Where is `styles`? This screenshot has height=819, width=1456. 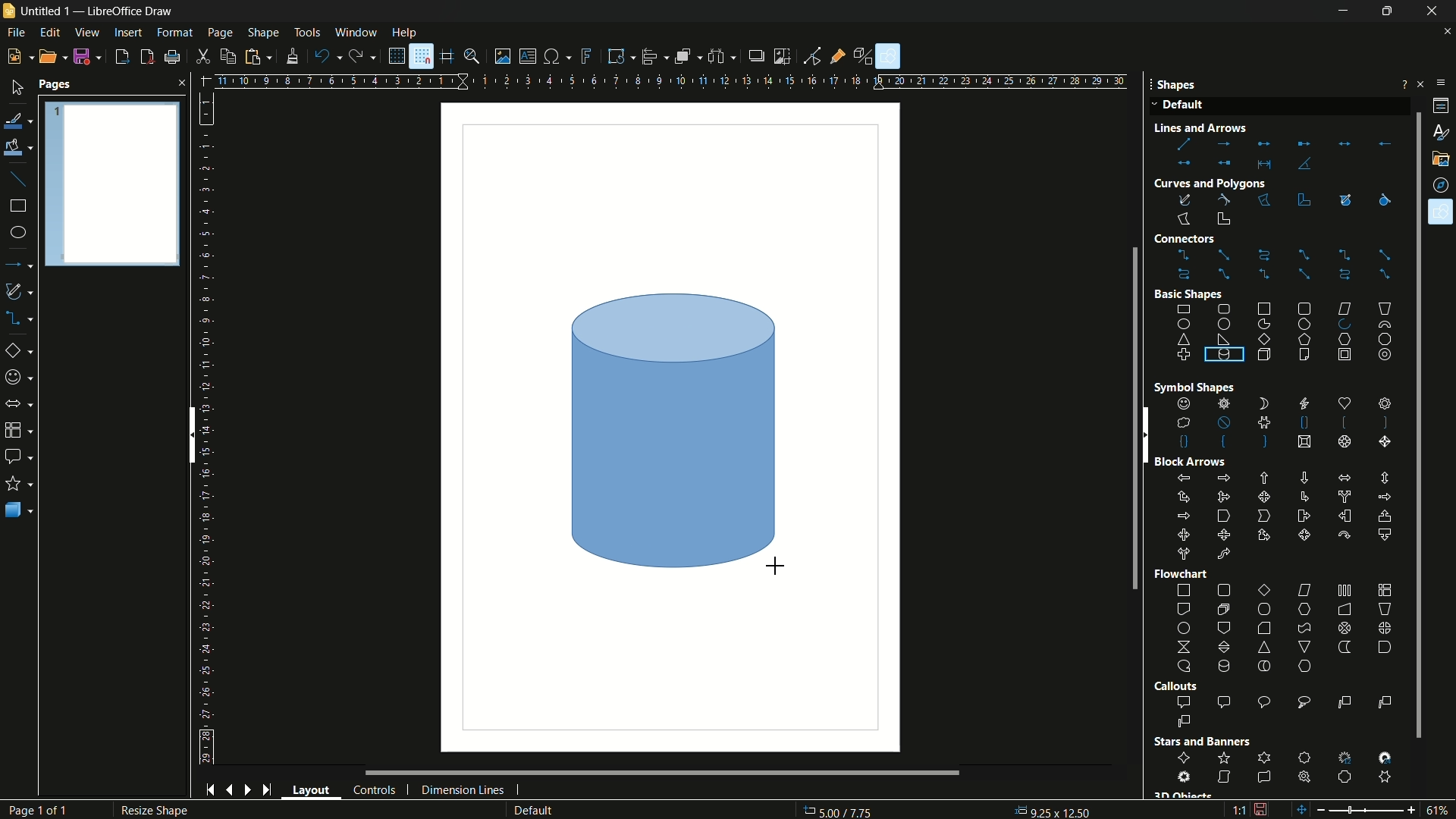 styles is located at coordinates (1439, 131).